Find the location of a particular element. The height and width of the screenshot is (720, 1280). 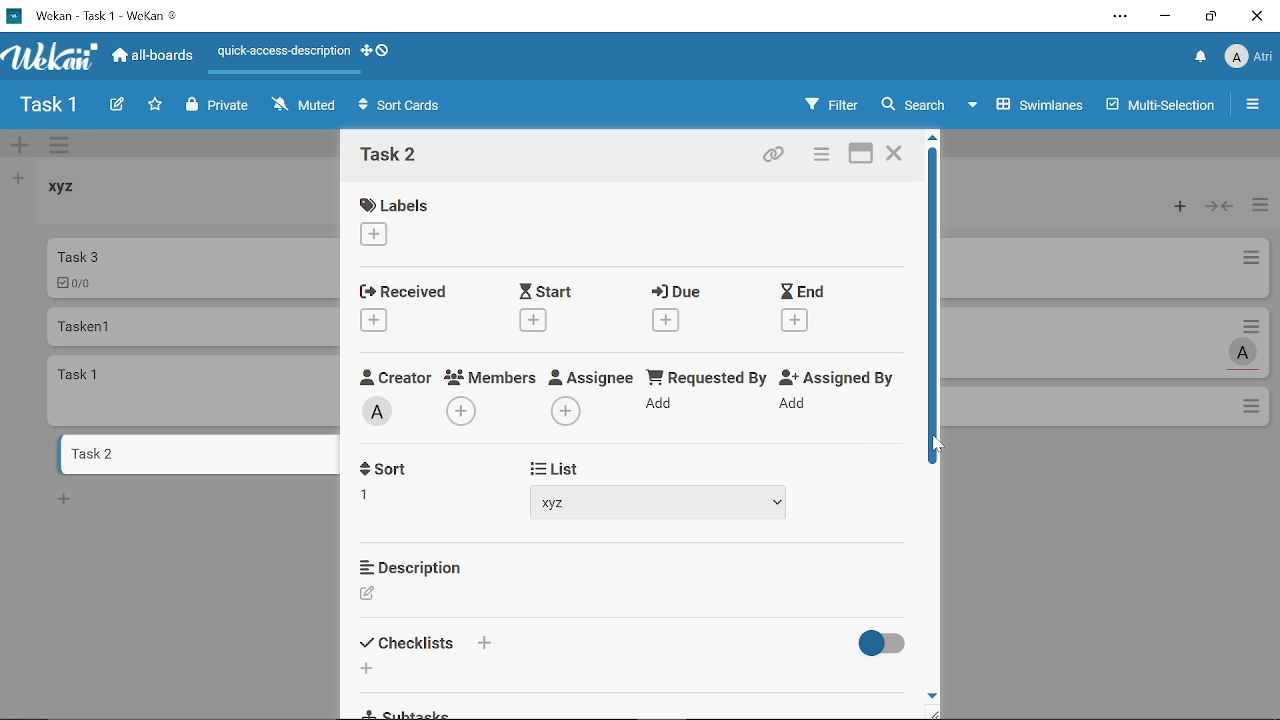

Sort Cards is located at coordinates (404, 107).